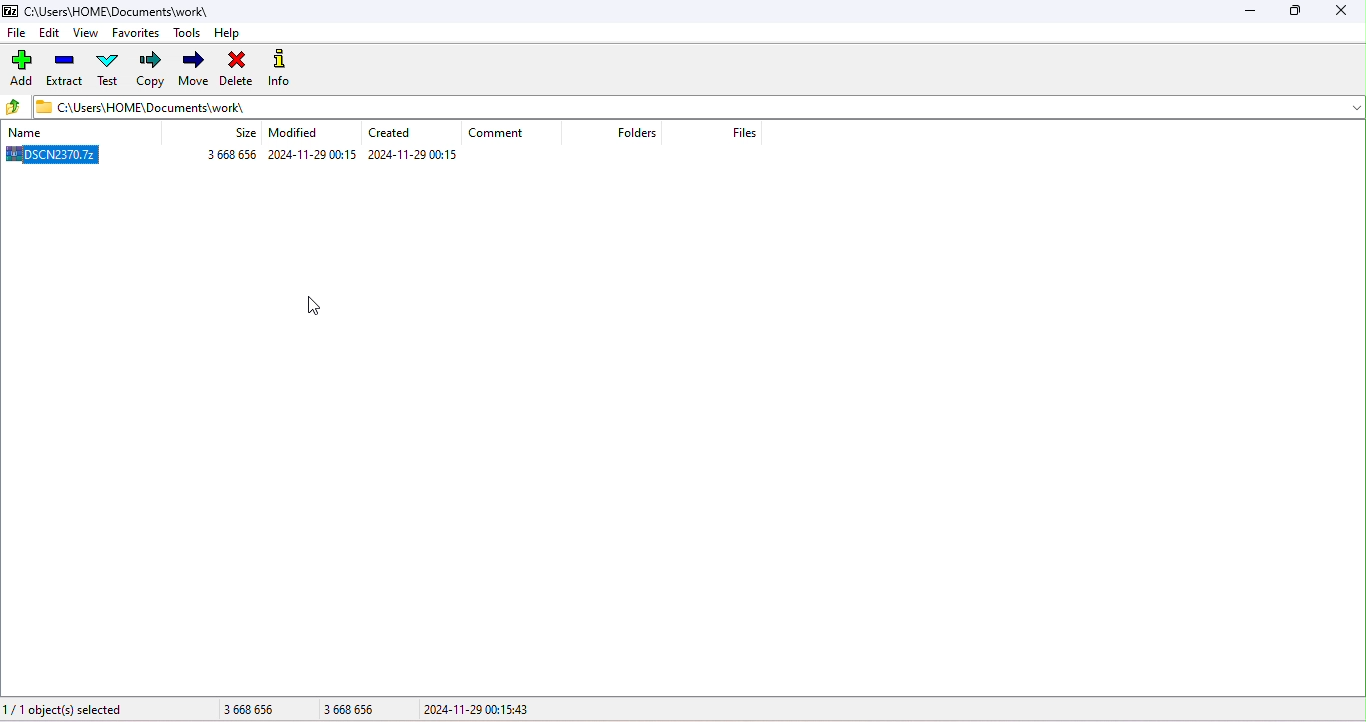  What do you see at coordinates (1341, 12) in the screenshot?
I see `close` at bounding box center [1341, 12].